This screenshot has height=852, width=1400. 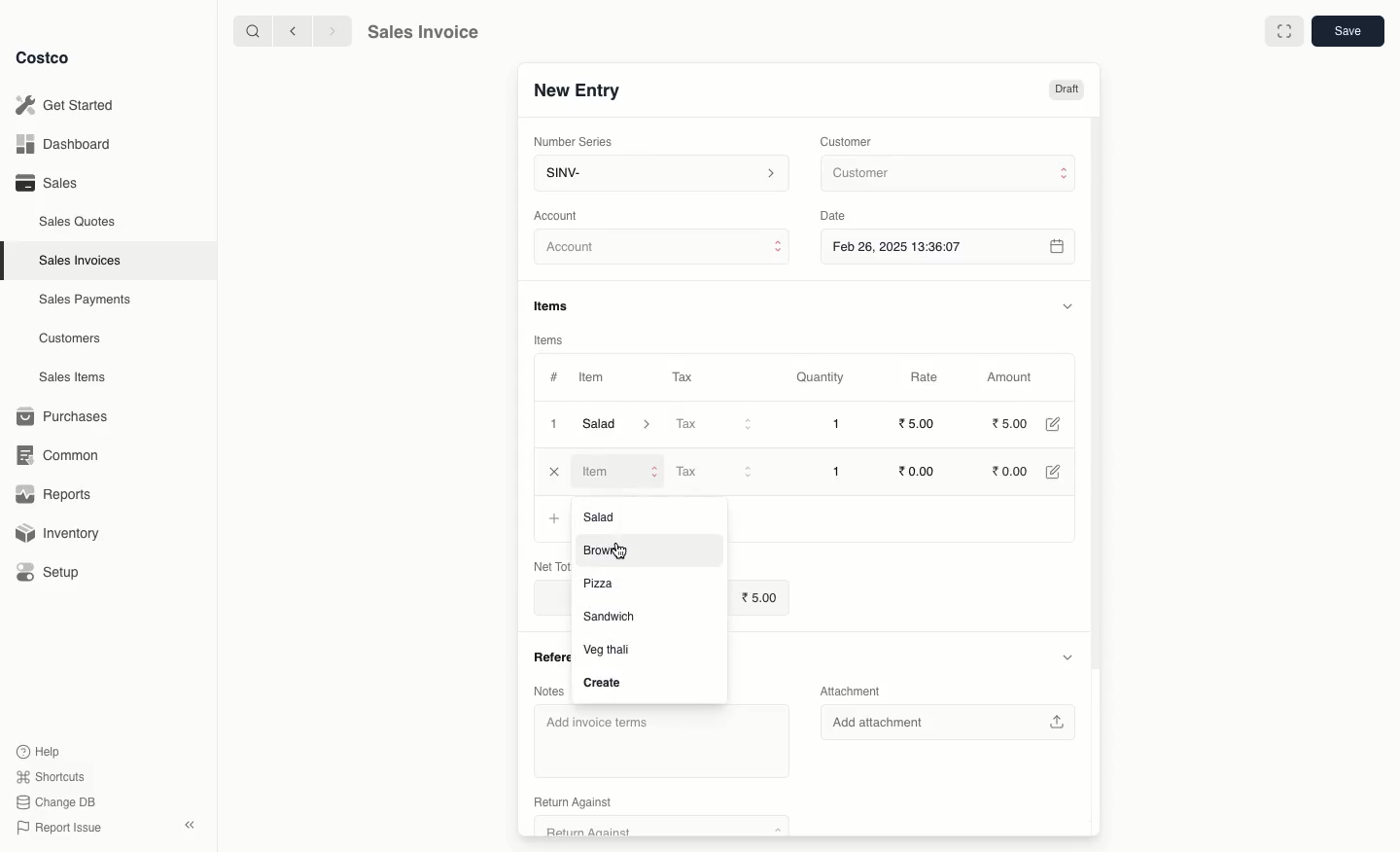 What do you see at coordinates (61, 531) in the screenshot?
I see `Inventory` at bounding box center [61, 531].